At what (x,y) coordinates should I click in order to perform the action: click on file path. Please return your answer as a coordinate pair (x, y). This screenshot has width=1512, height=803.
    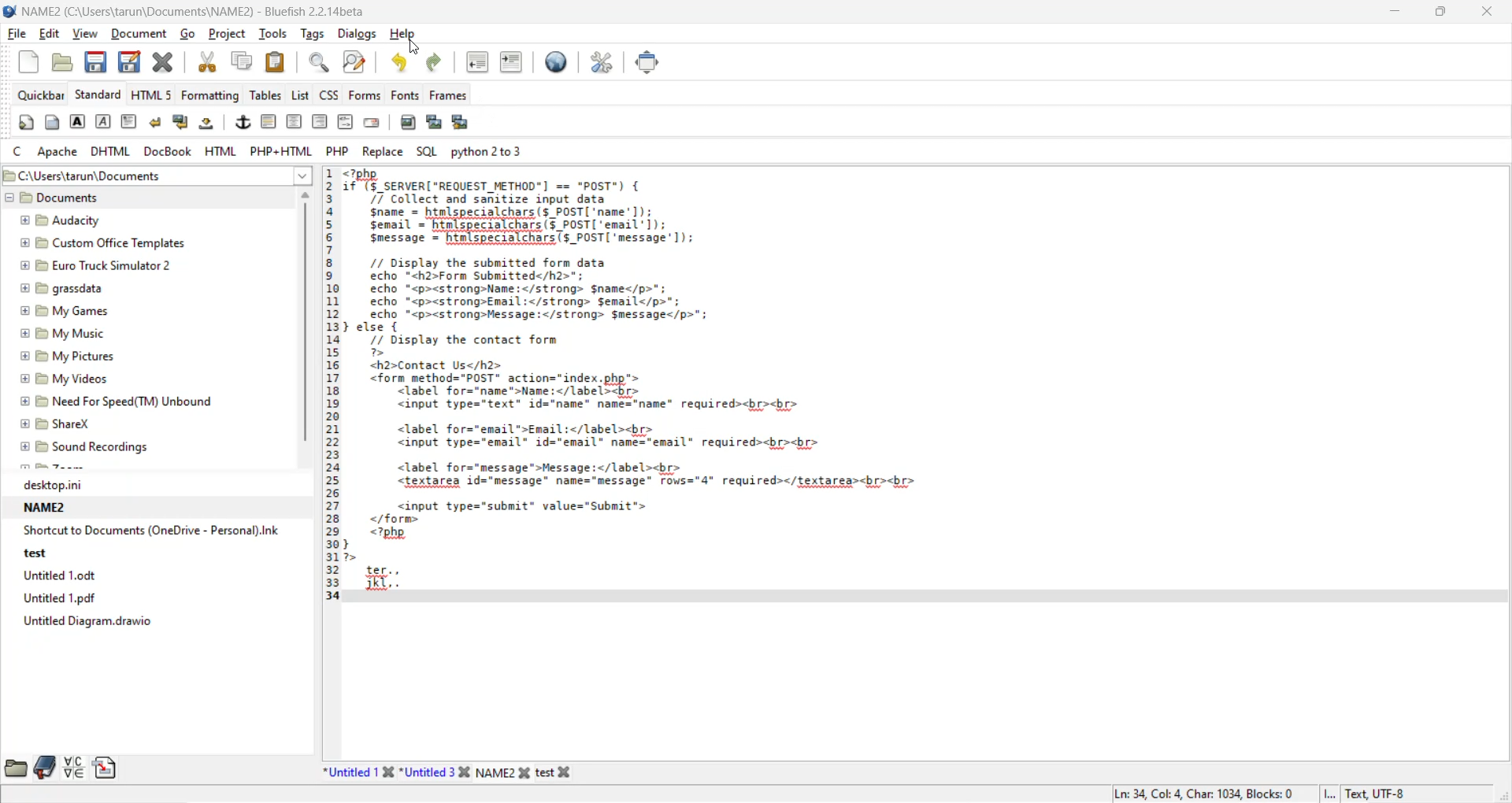
    Looking at the image, I should click on (161, 176).